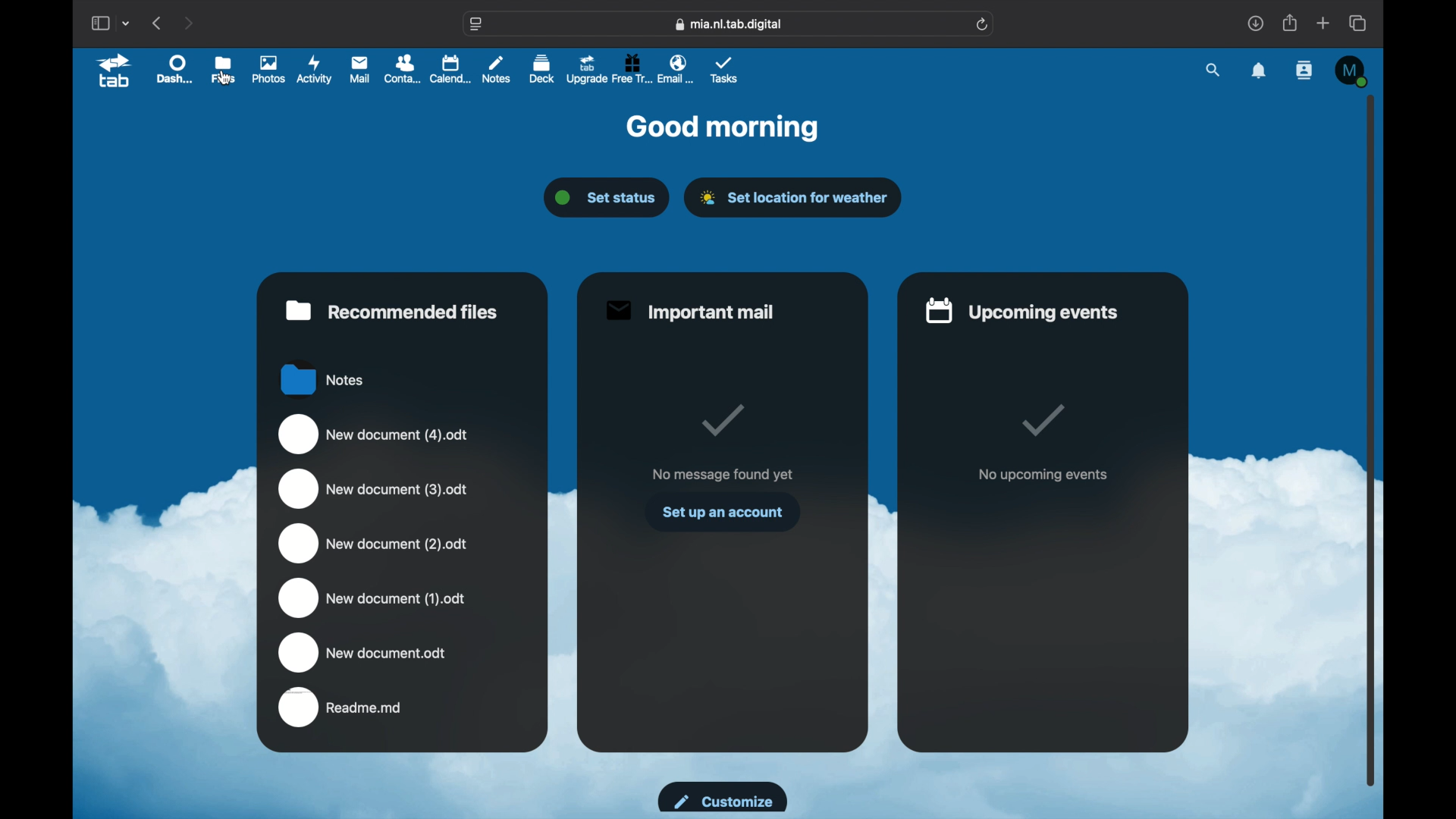 The height and width of the screenshot is (819, 1456). I want to click on upcoming events, so click(1022, 310).